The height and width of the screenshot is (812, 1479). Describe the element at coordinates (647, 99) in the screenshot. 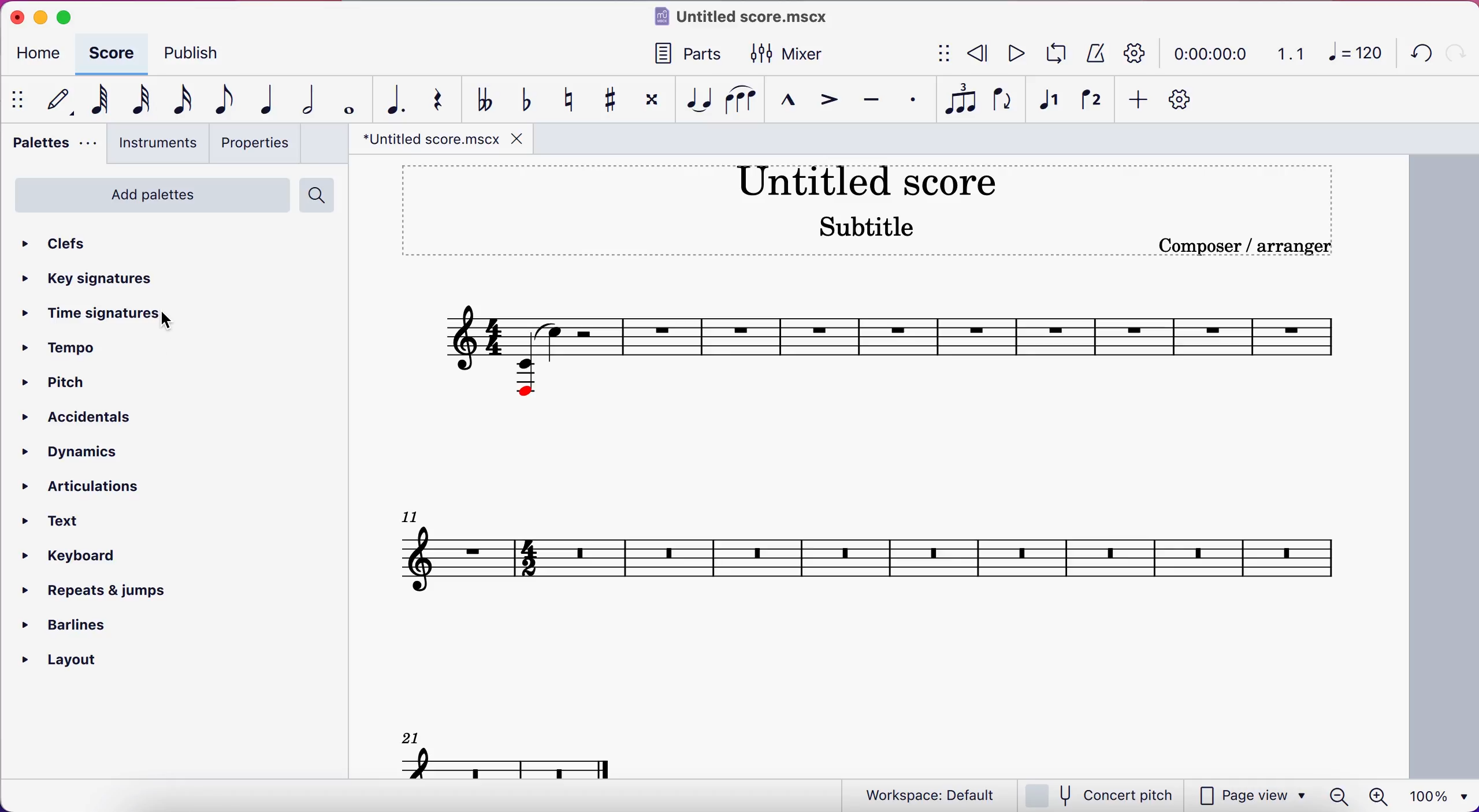

I see `toggle double sharp` at that location.